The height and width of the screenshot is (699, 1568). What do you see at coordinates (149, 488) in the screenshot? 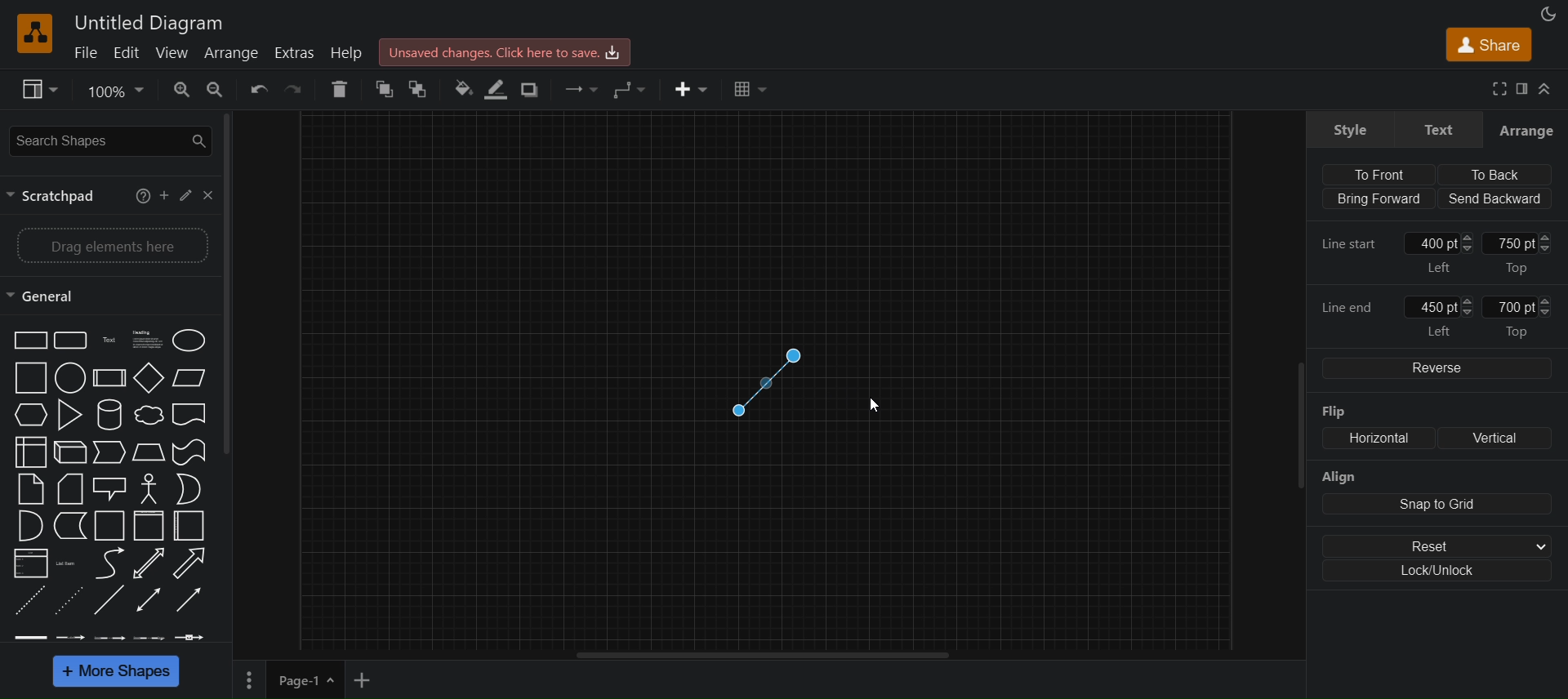
I see `Actor` at bounding box center [149, 488].